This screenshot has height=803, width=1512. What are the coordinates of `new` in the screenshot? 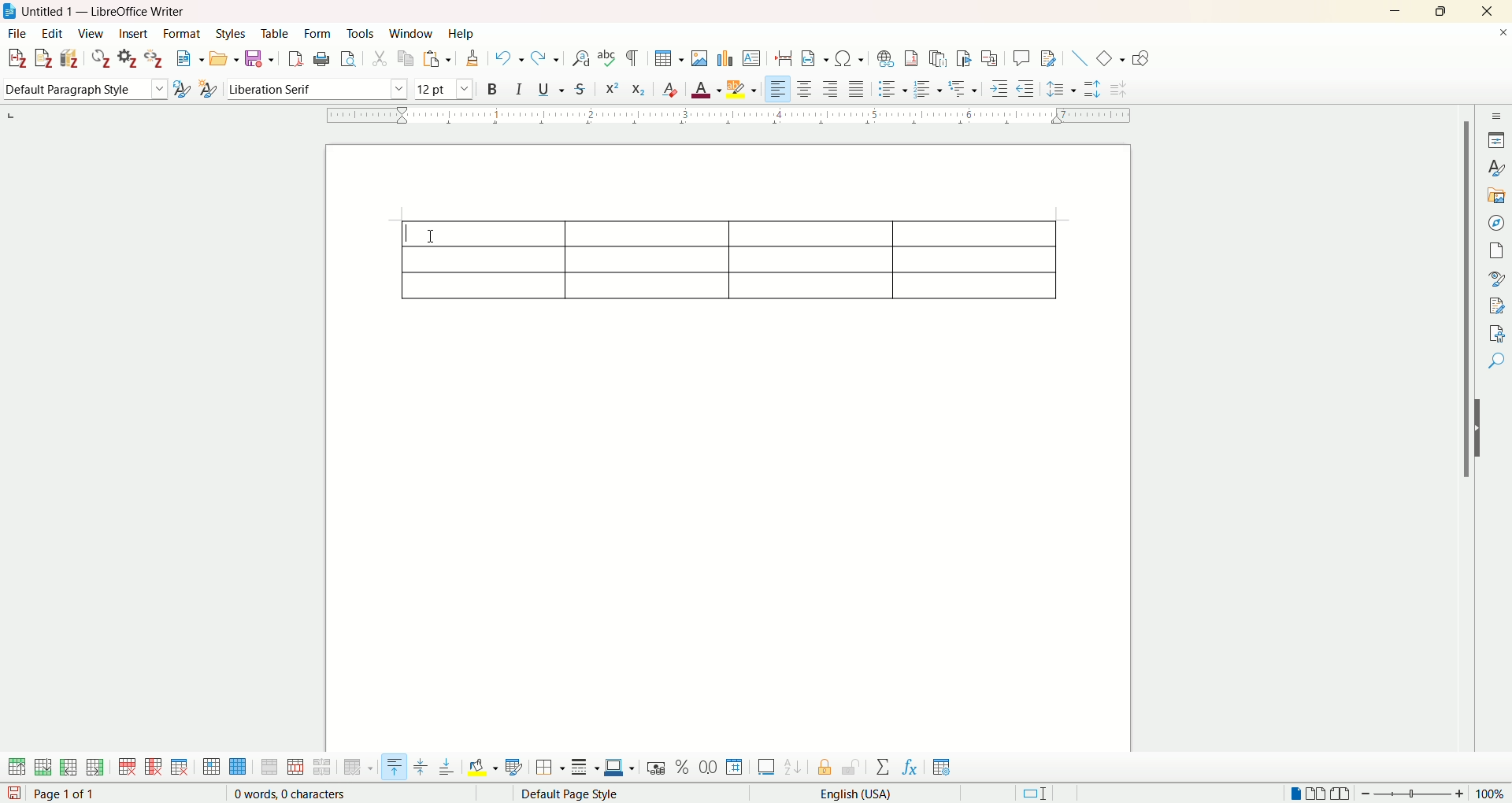 It's located at (188, 58).